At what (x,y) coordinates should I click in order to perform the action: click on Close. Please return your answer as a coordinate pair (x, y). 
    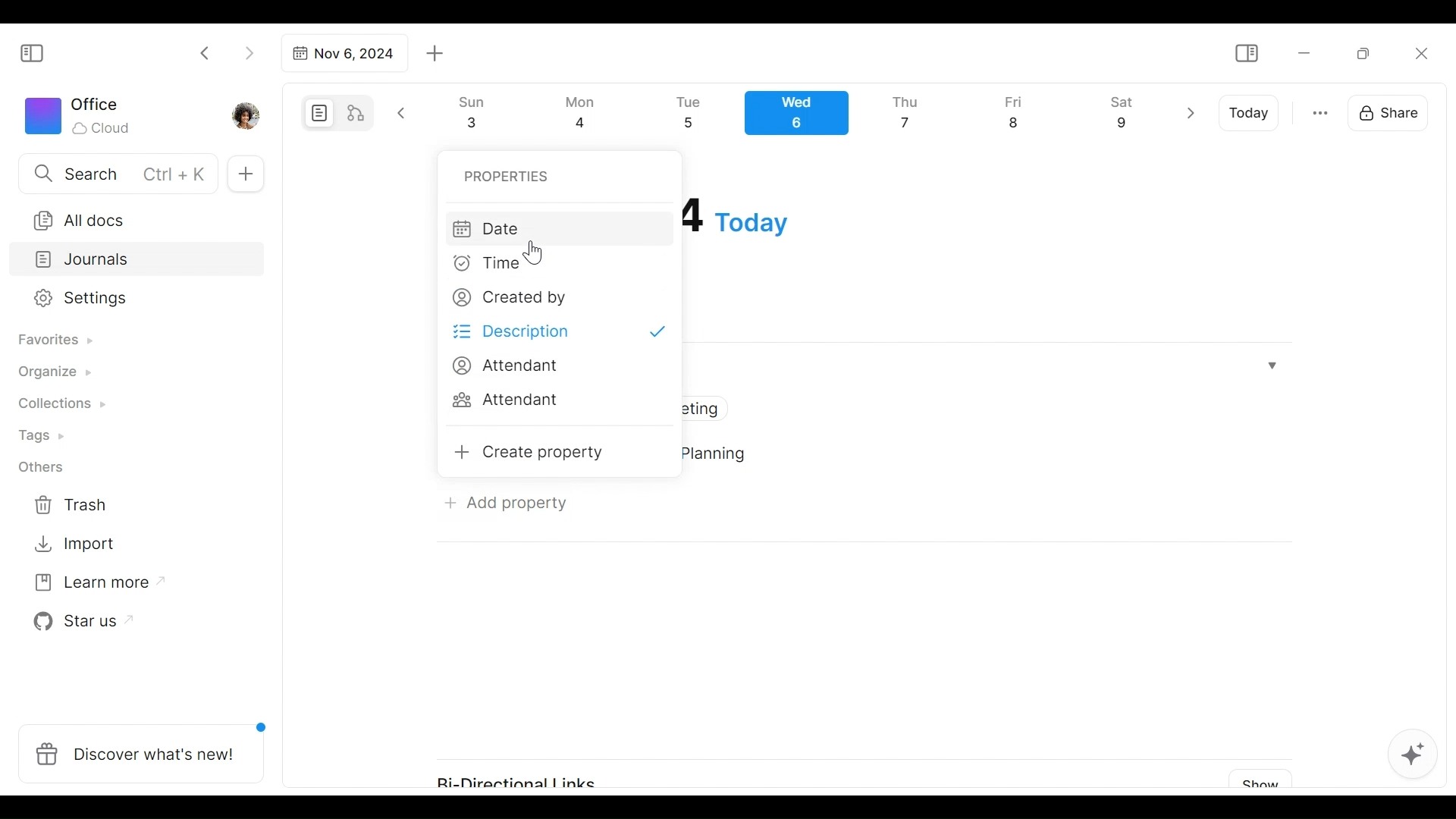
    Looking at the image, I should click on (1420, 53).